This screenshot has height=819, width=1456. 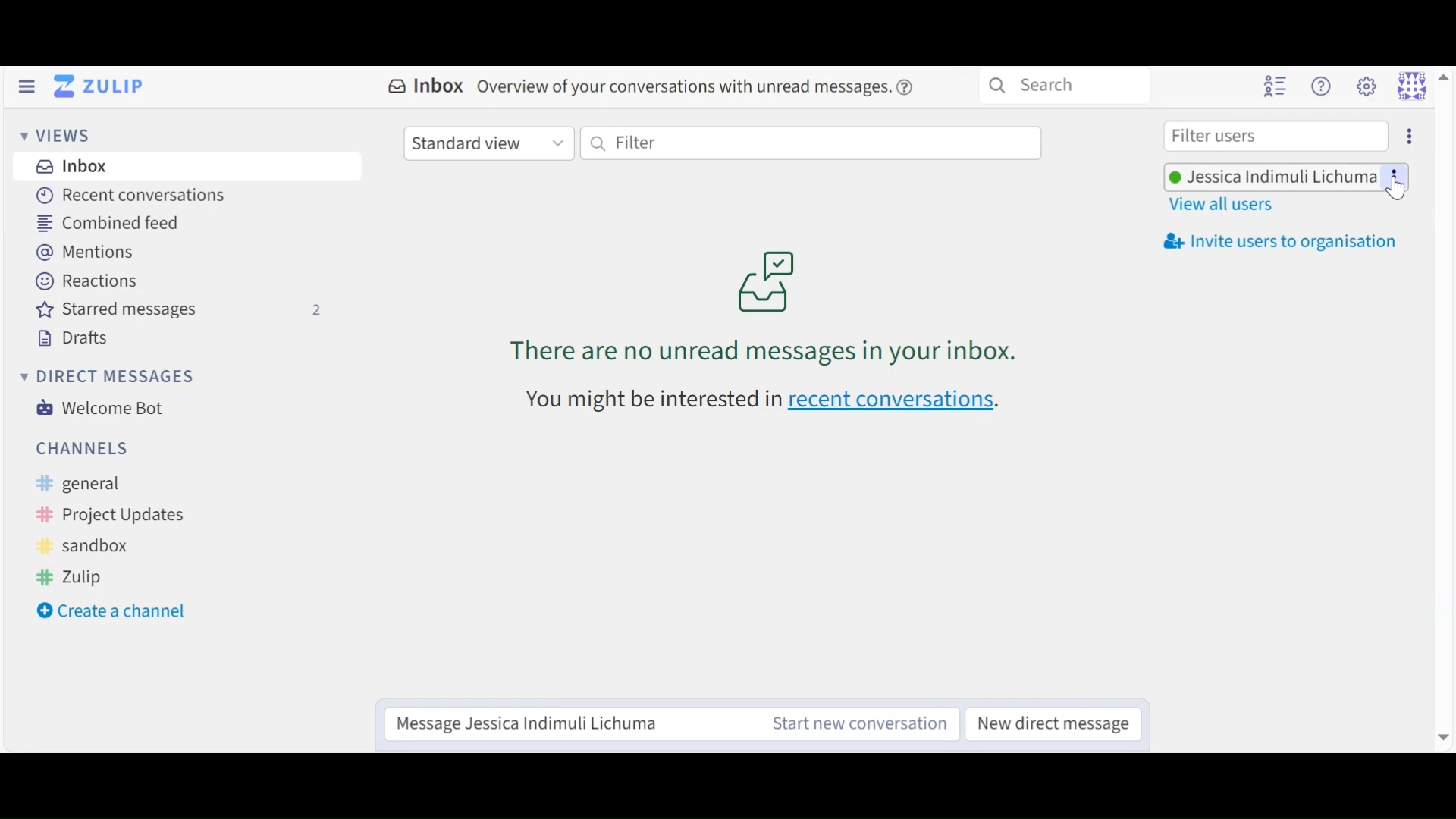 I want to click on Reply message, so click(x=566, y=723).